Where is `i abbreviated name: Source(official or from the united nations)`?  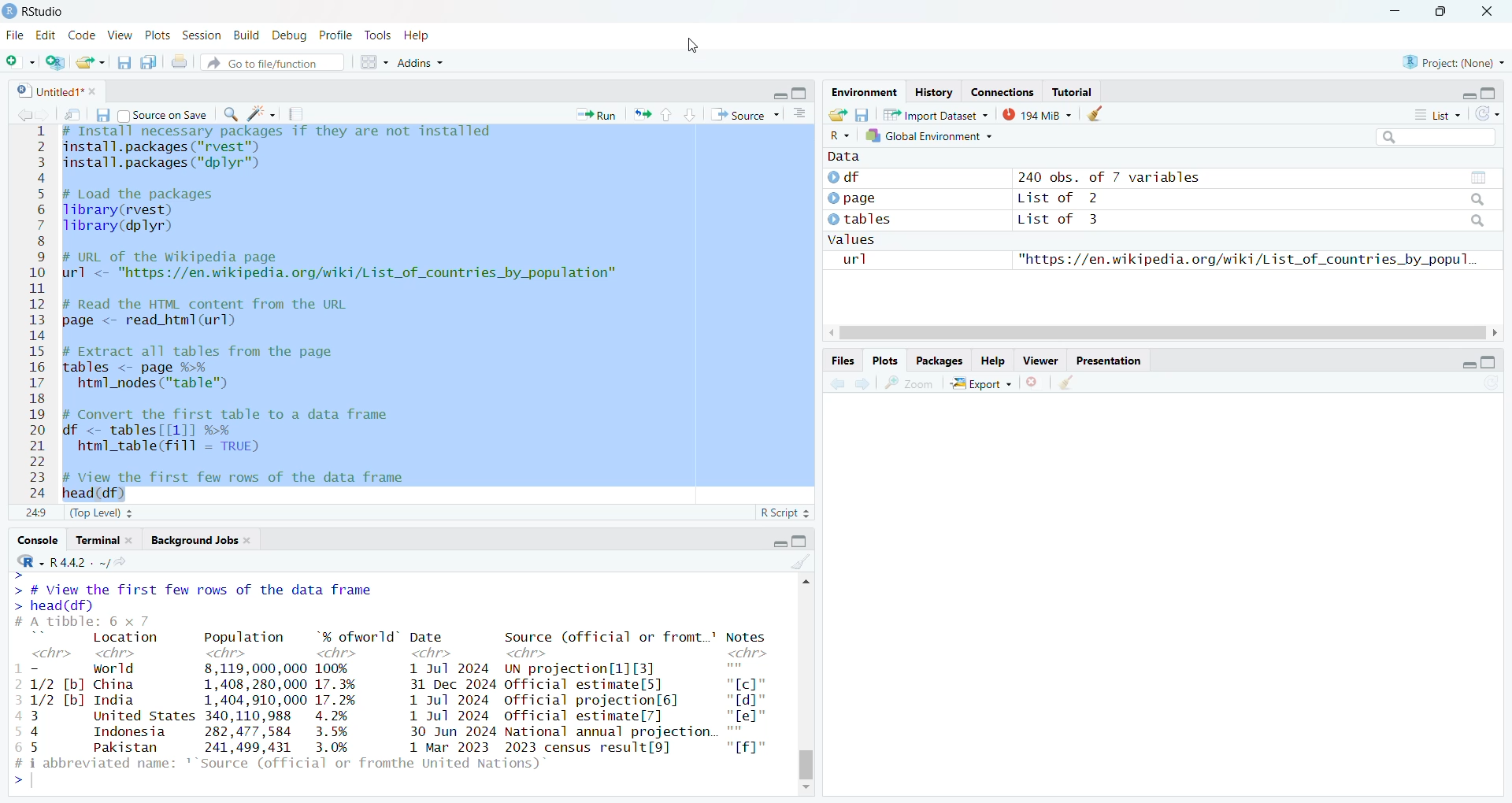 i abbreviated name: Source(official or from the united nations) is located at coordinates (287, 764).